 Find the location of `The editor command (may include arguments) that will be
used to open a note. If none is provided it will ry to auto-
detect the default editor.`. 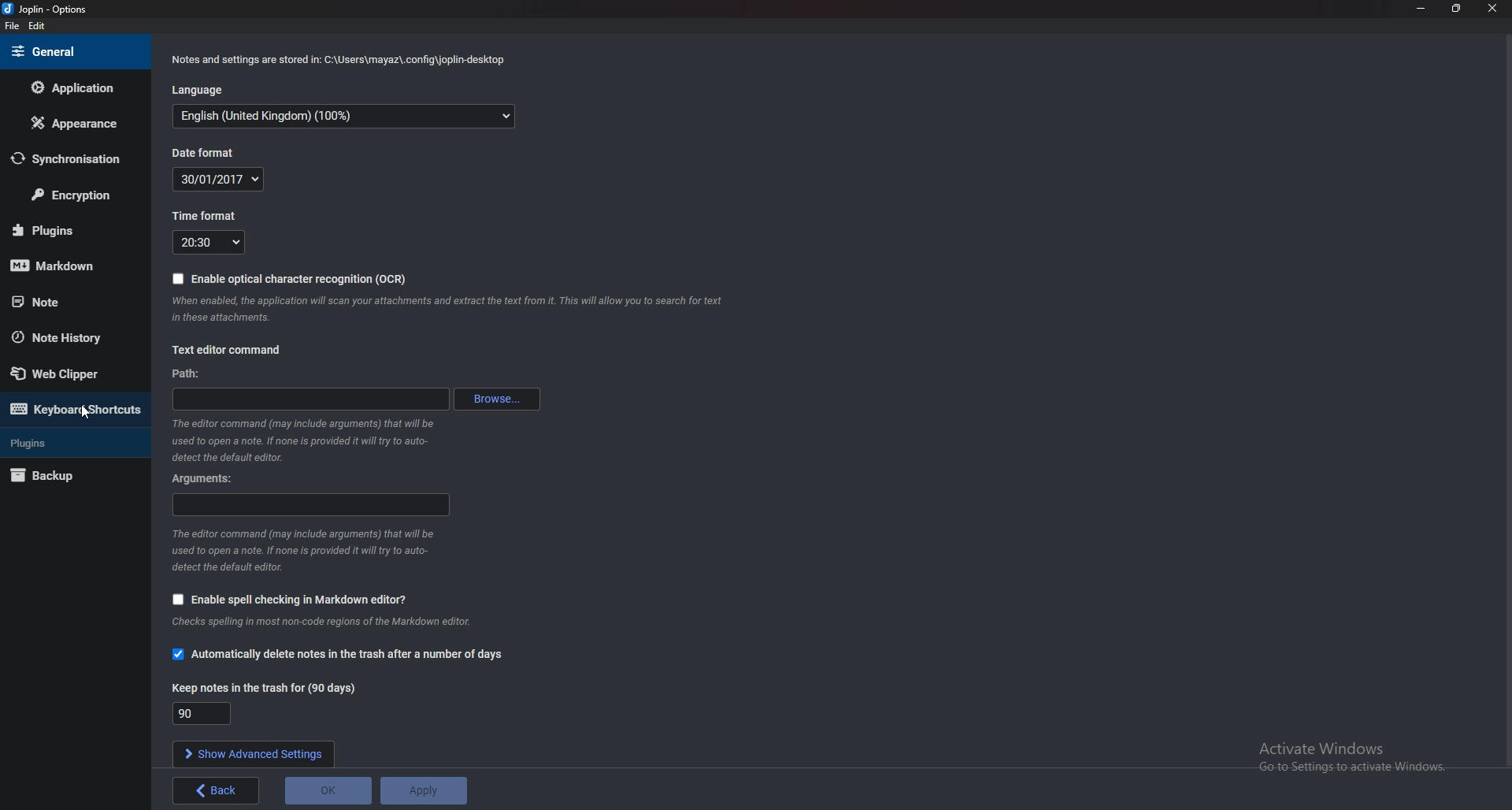

The editor command (may include arguments) that will be
used to open a note. If none is provided it will ry to auto-
detect the default editor. is located at coordinates (595, 1276).